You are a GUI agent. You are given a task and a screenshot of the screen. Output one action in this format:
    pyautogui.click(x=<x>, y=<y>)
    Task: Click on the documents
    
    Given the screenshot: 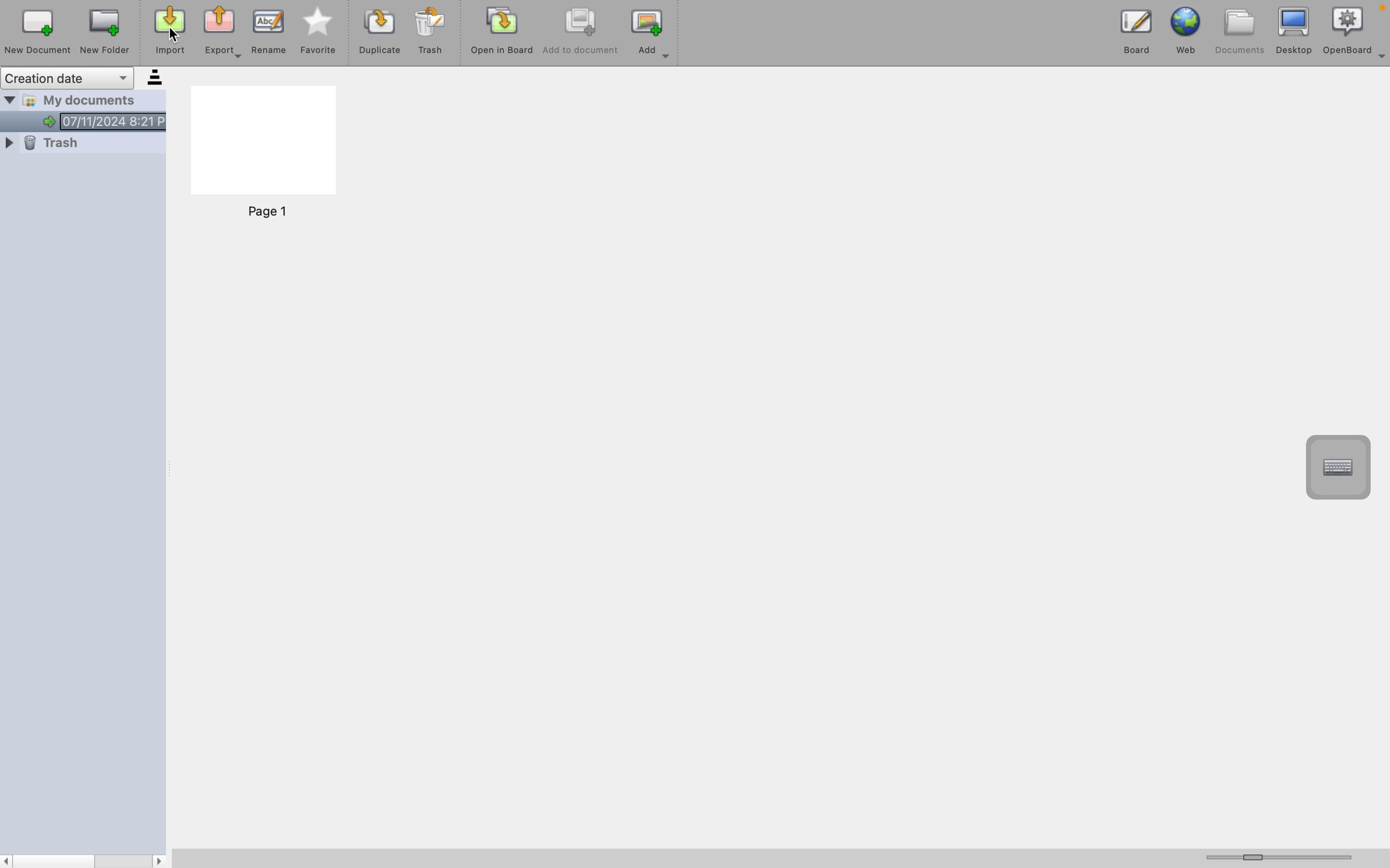 What is the action you would take?
    pyautogui.click(x=1238, y=30)
    